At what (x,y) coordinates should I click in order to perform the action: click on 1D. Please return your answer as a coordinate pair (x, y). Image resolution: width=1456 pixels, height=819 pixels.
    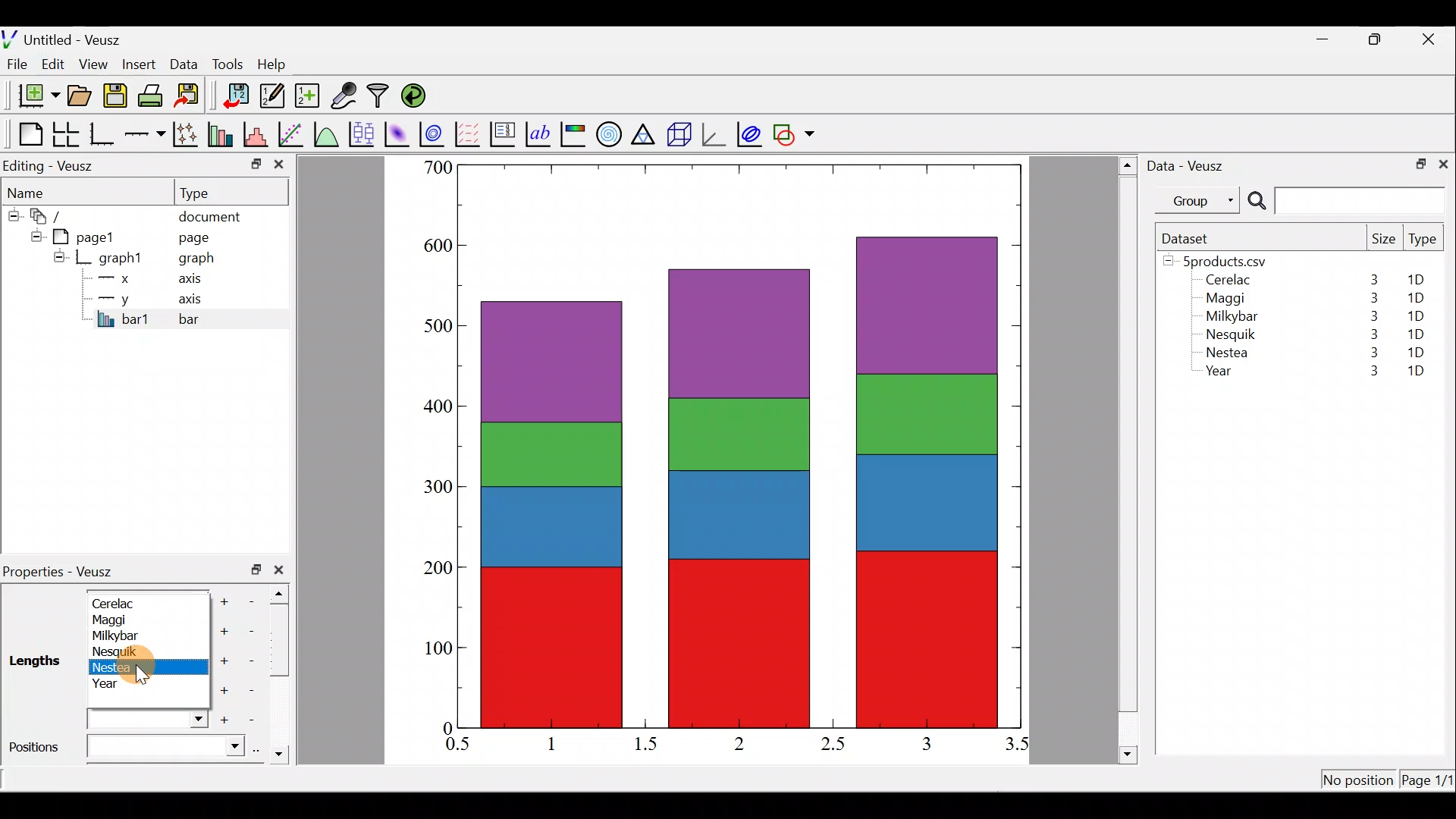
    Looking at the image, I should click on (1421, 280).